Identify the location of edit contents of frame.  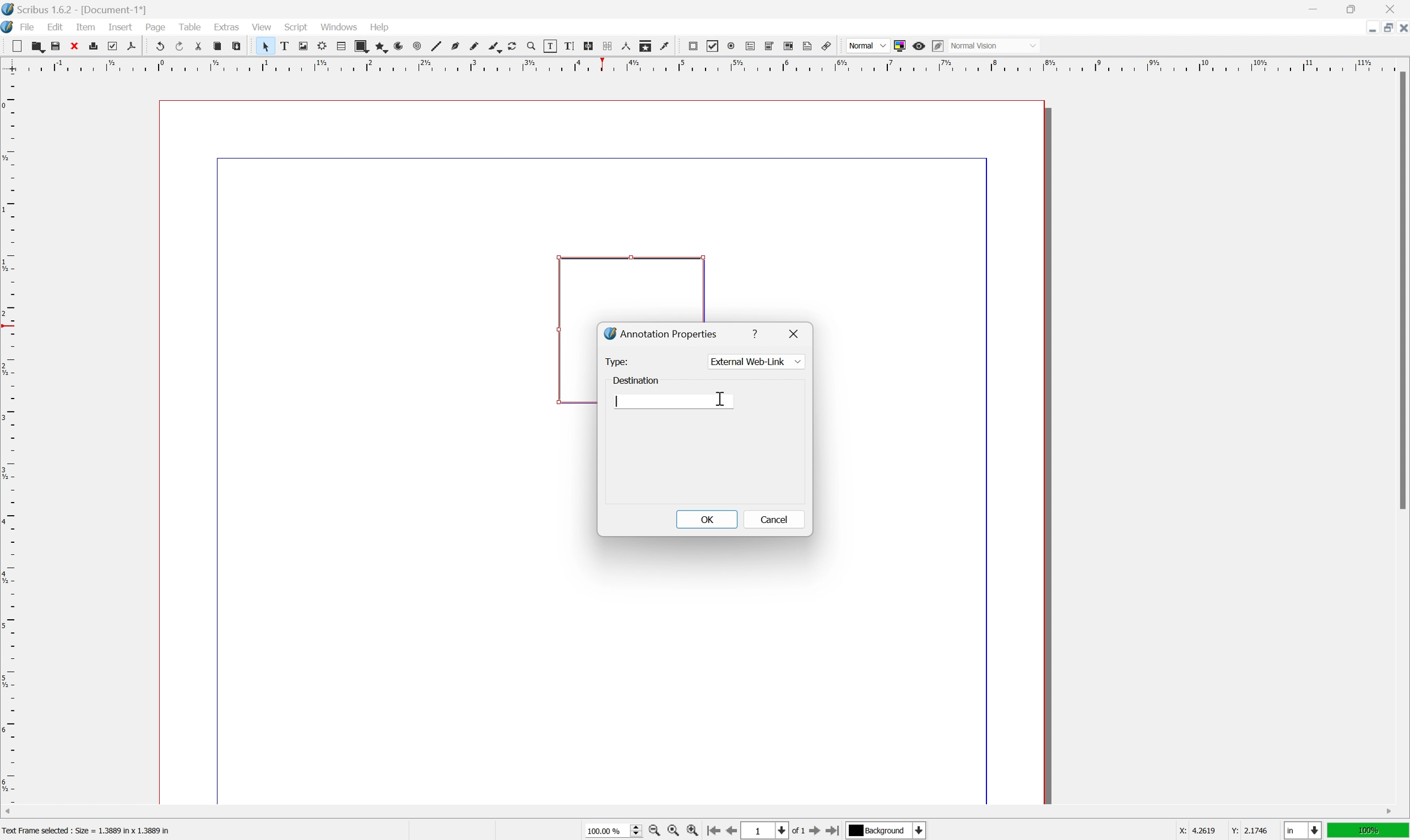
(550, 46).